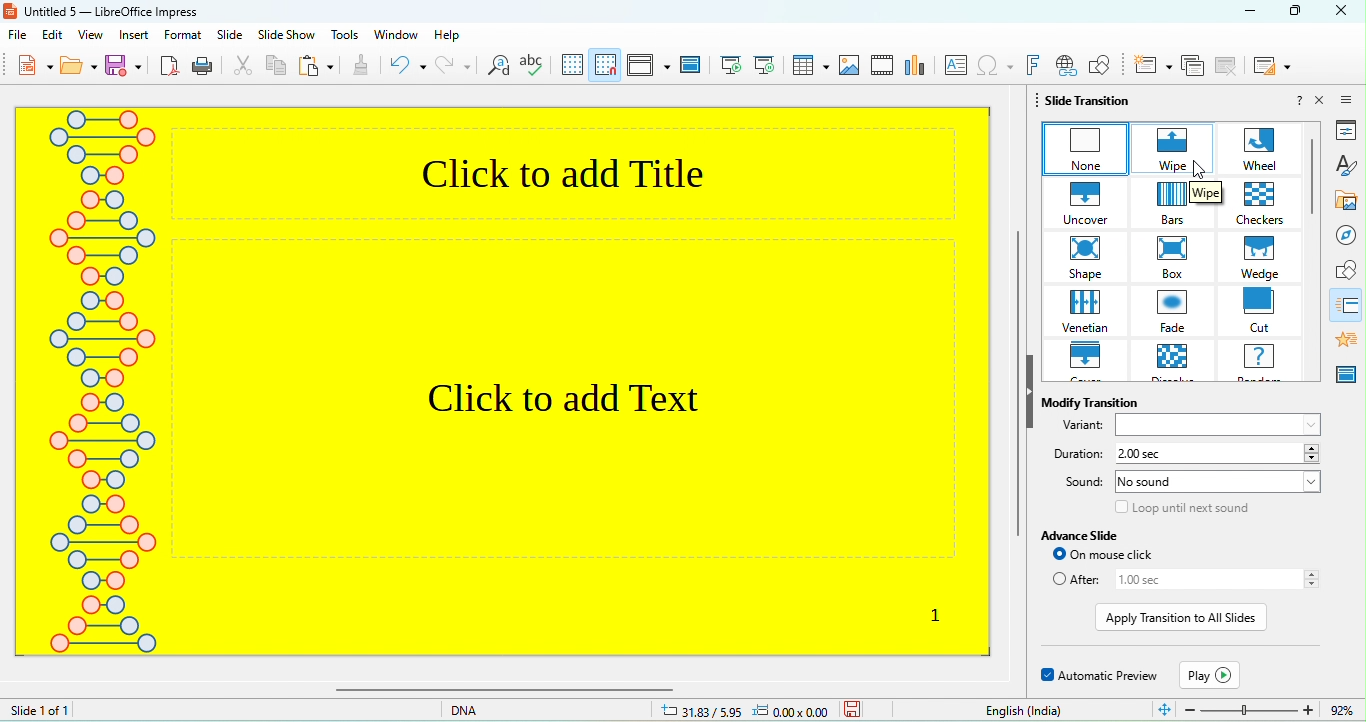 This screenshot has height=722, width=1366. Describe the element at coordinates (1211, 673) in the screenshot. I see `play` at that location.